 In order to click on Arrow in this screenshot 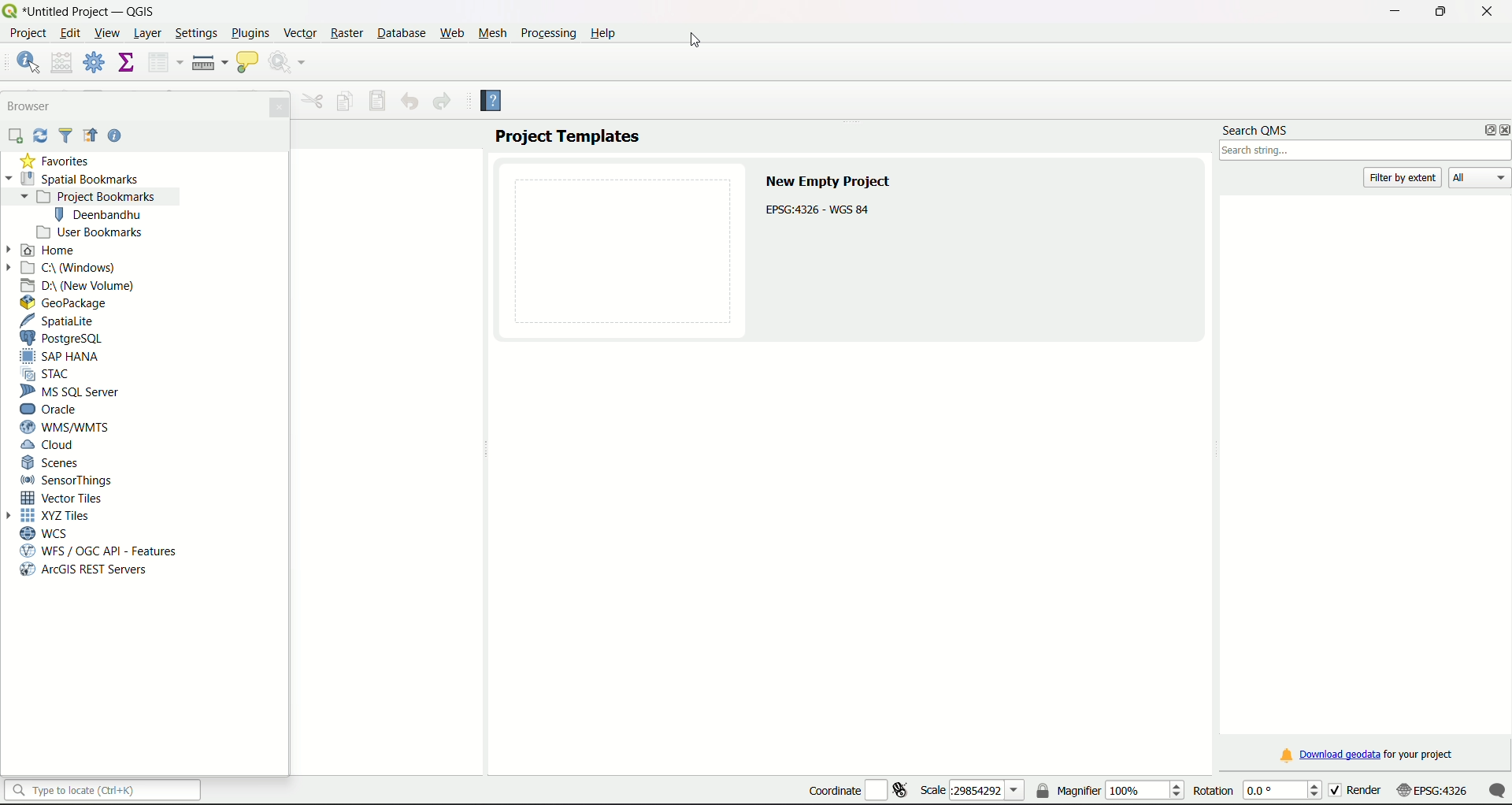, I will do `click(9, 270)`.